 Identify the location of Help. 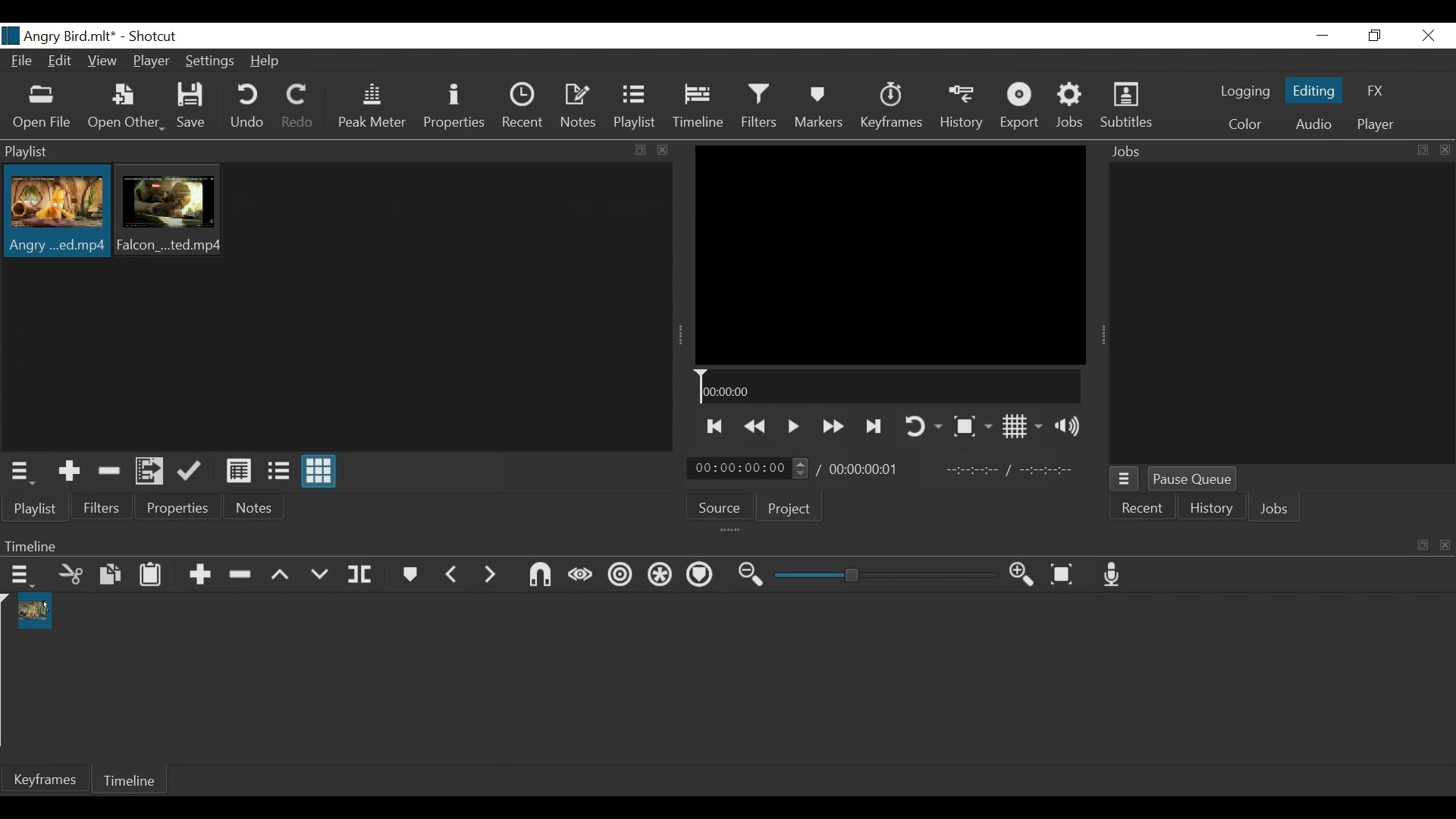
(269, 61).